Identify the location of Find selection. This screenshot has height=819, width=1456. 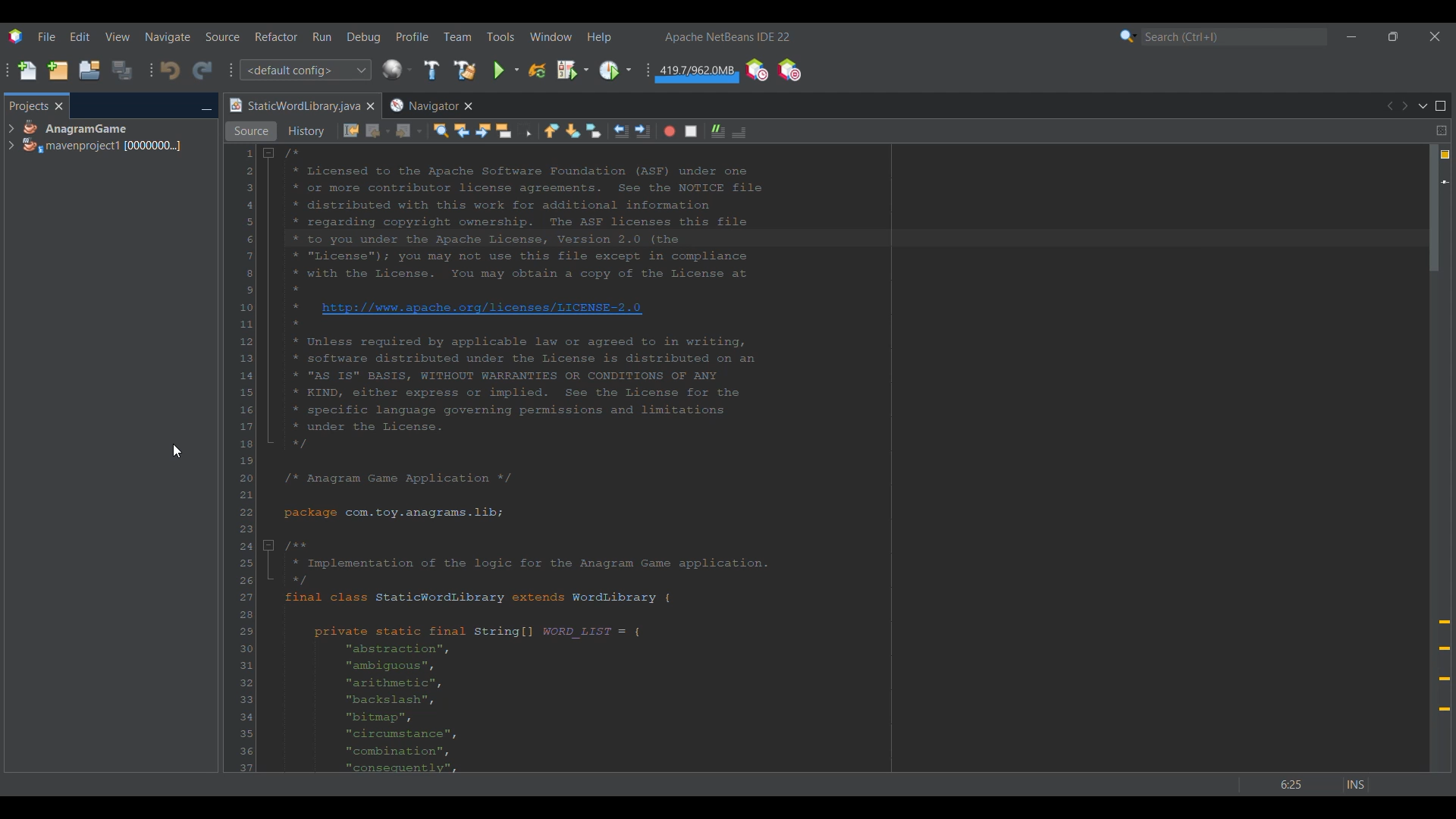
(441, 130).